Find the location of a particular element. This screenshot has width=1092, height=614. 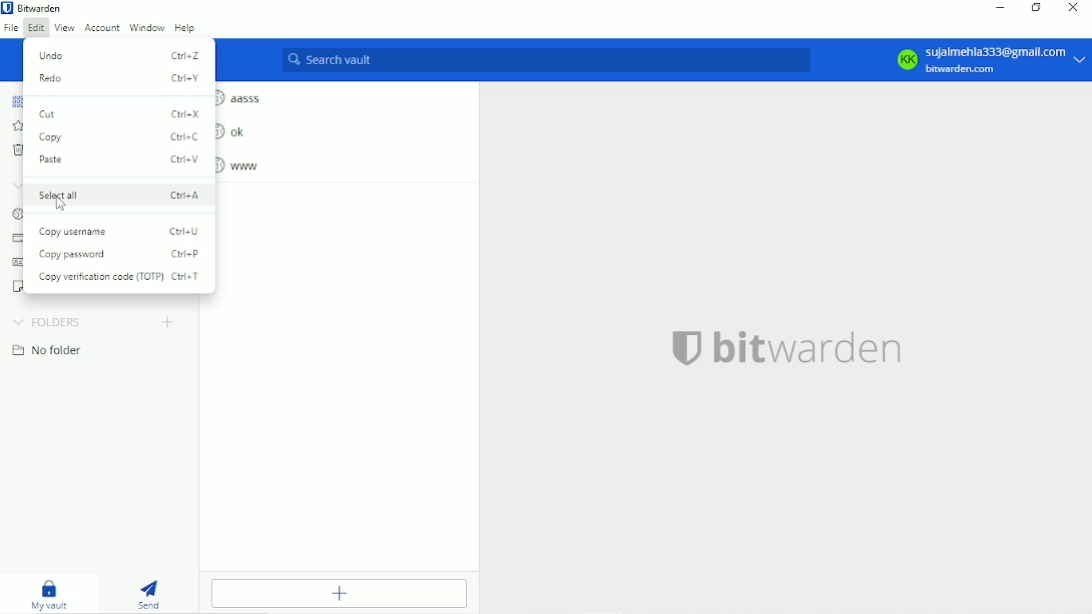

Close is located at coordinates (1074, 9).